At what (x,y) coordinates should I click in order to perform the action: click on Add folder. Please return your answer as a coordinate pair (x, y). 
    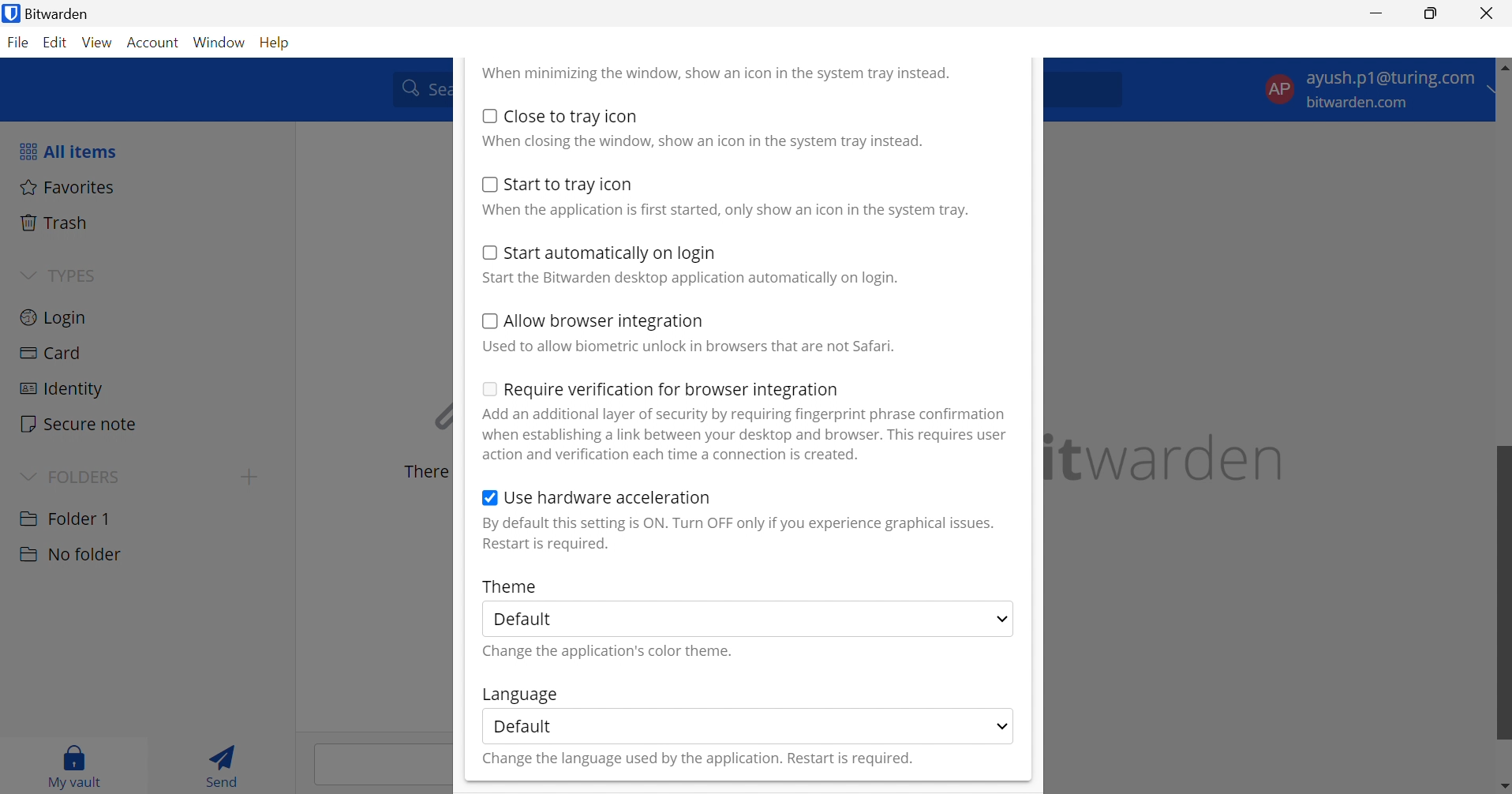
    Looking at the image, I should click on (249, 477).